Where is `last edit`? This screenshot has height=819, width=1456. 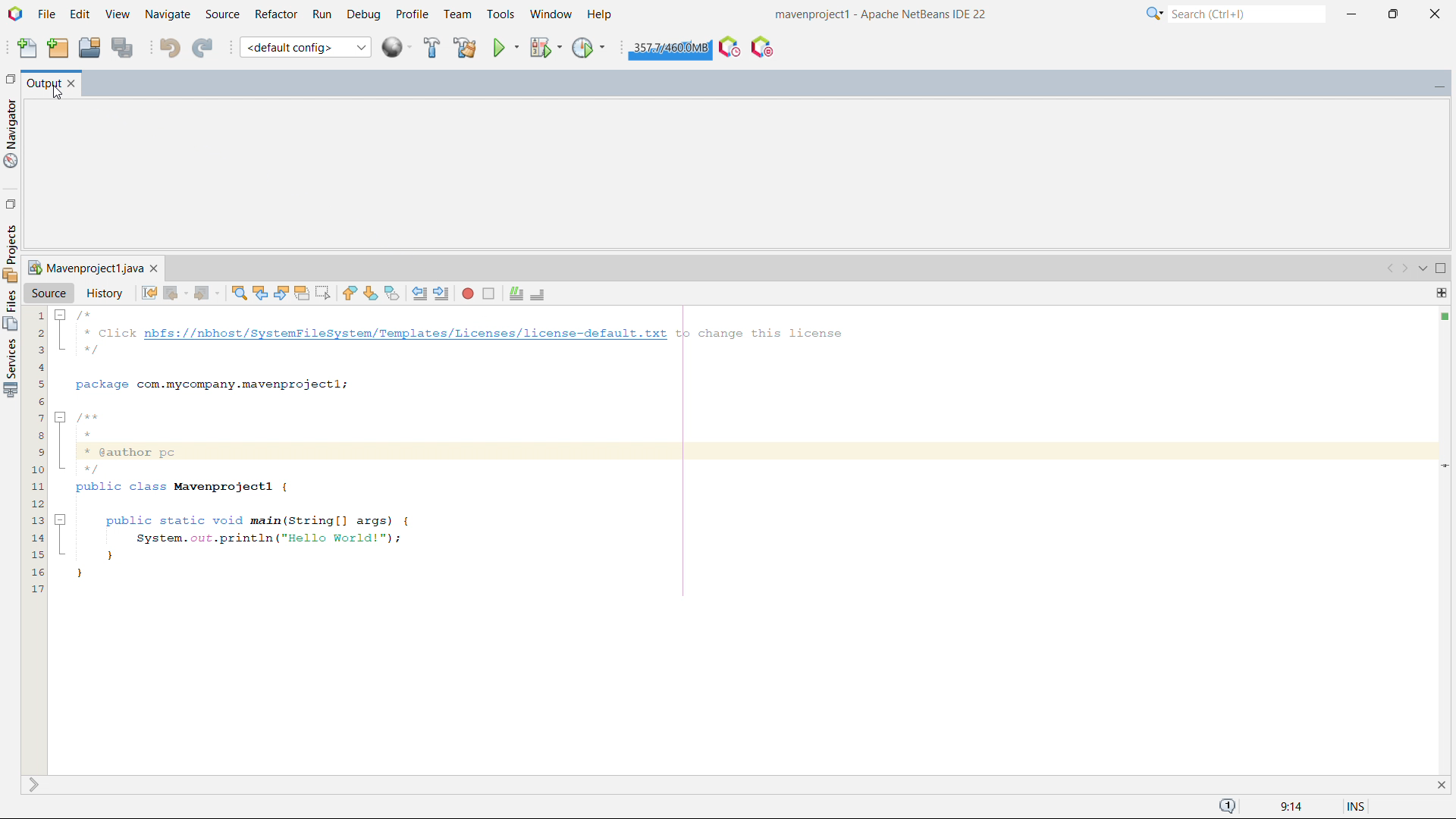 last edit is located at coordinates (149, 292).